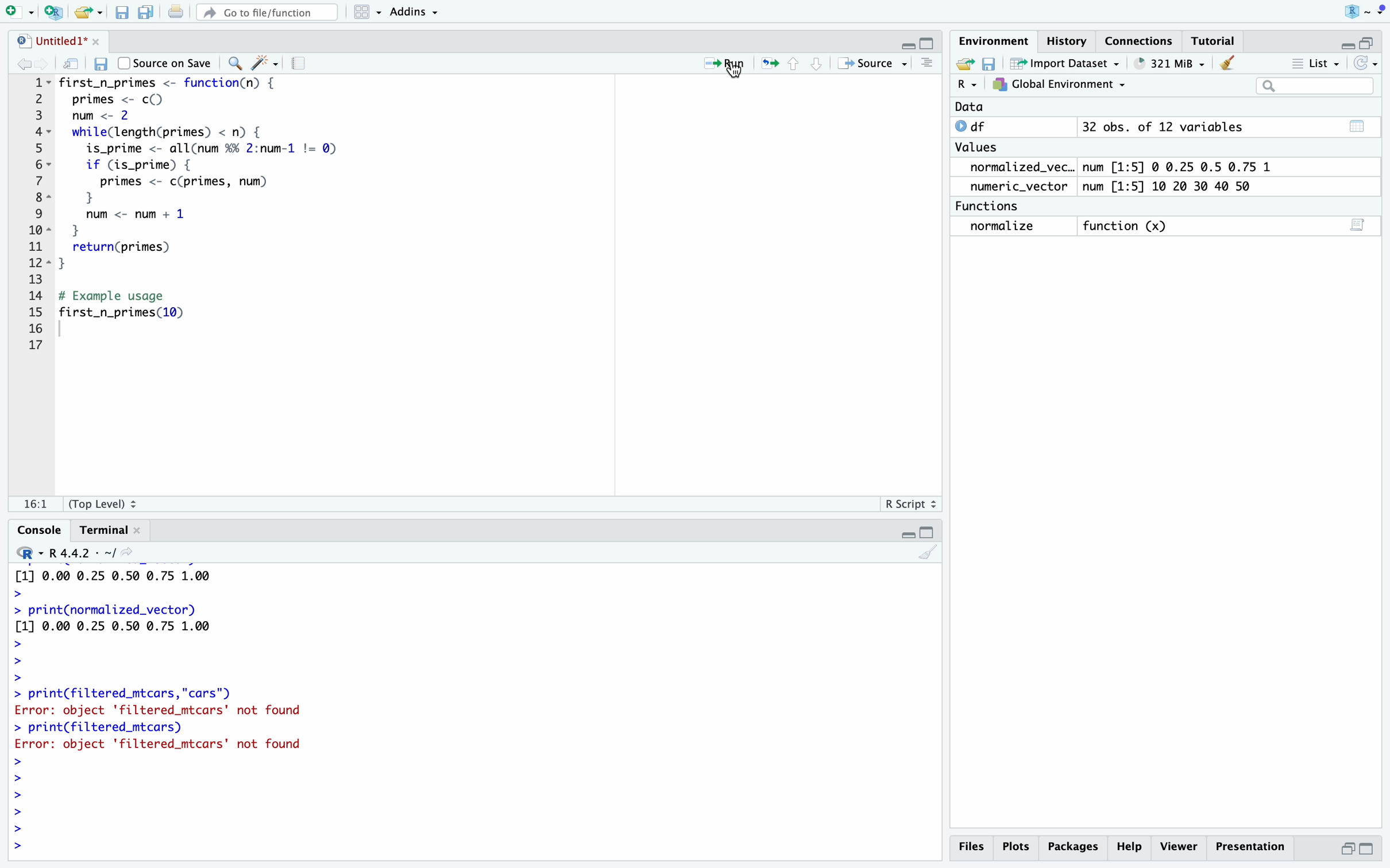  I want to click on untitled, so click(65, 38).